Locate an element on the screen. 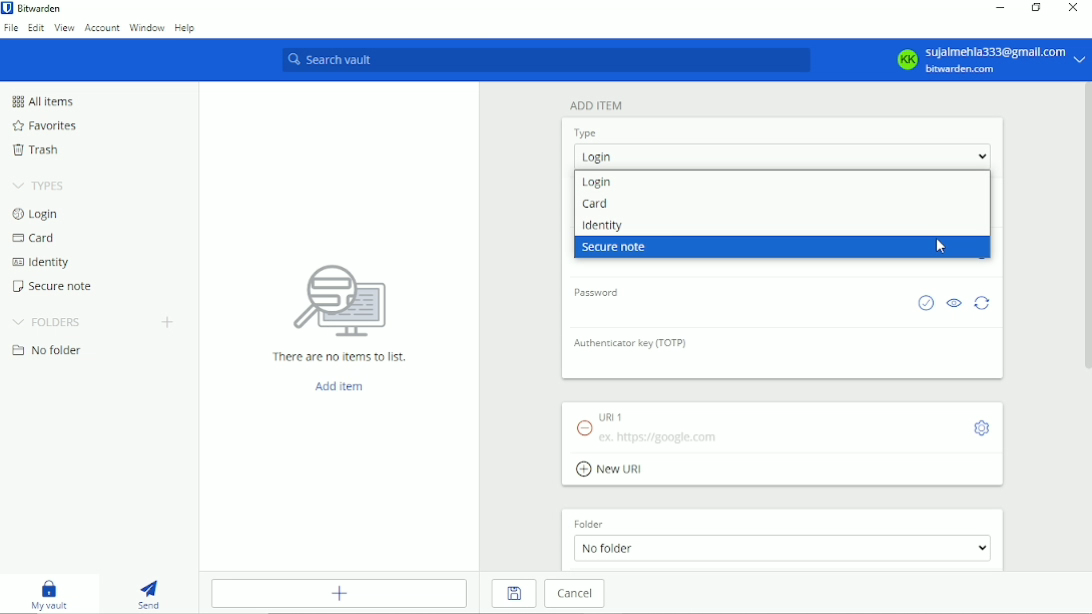 This screenshot has height=614, width=1092. Add item is located at coordinates (337, 385).